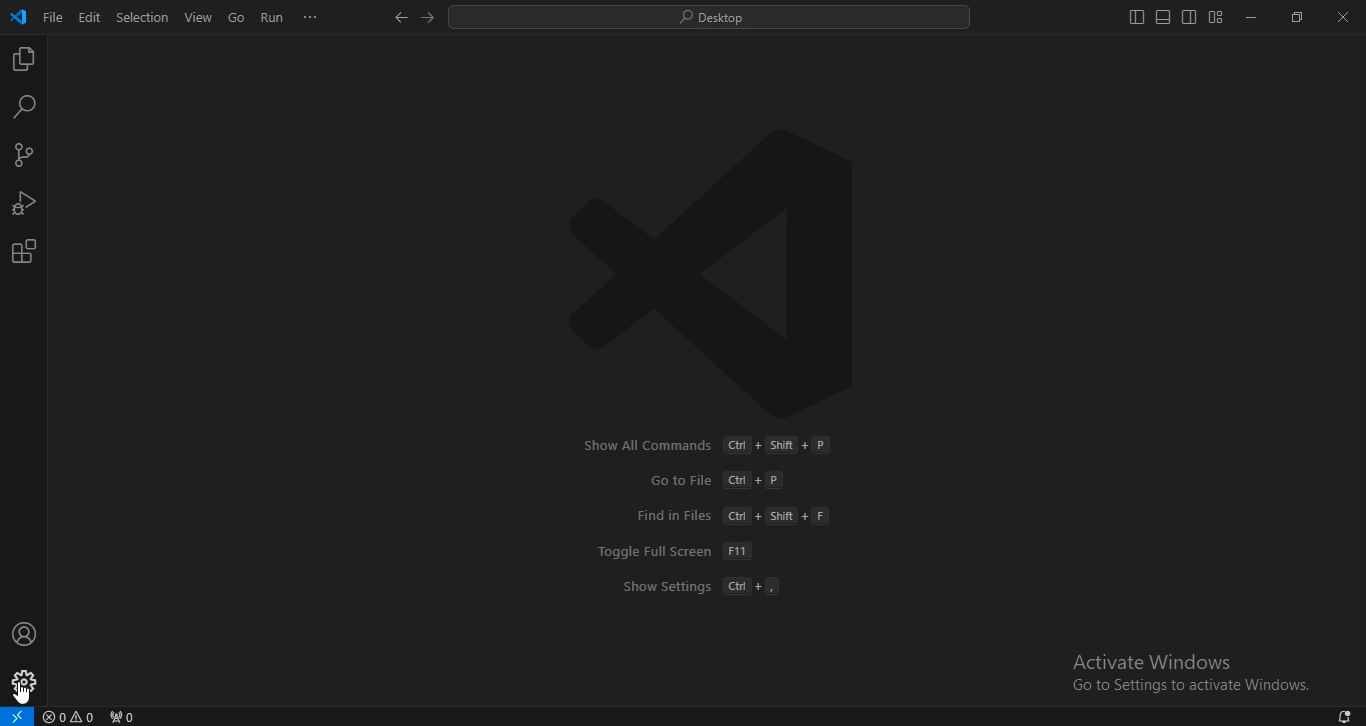 The image size is (1366, 726). What do you see at coordinates (18, 715) in the screenshot?
I see `open a remote window` at bounding box center [18, 715].